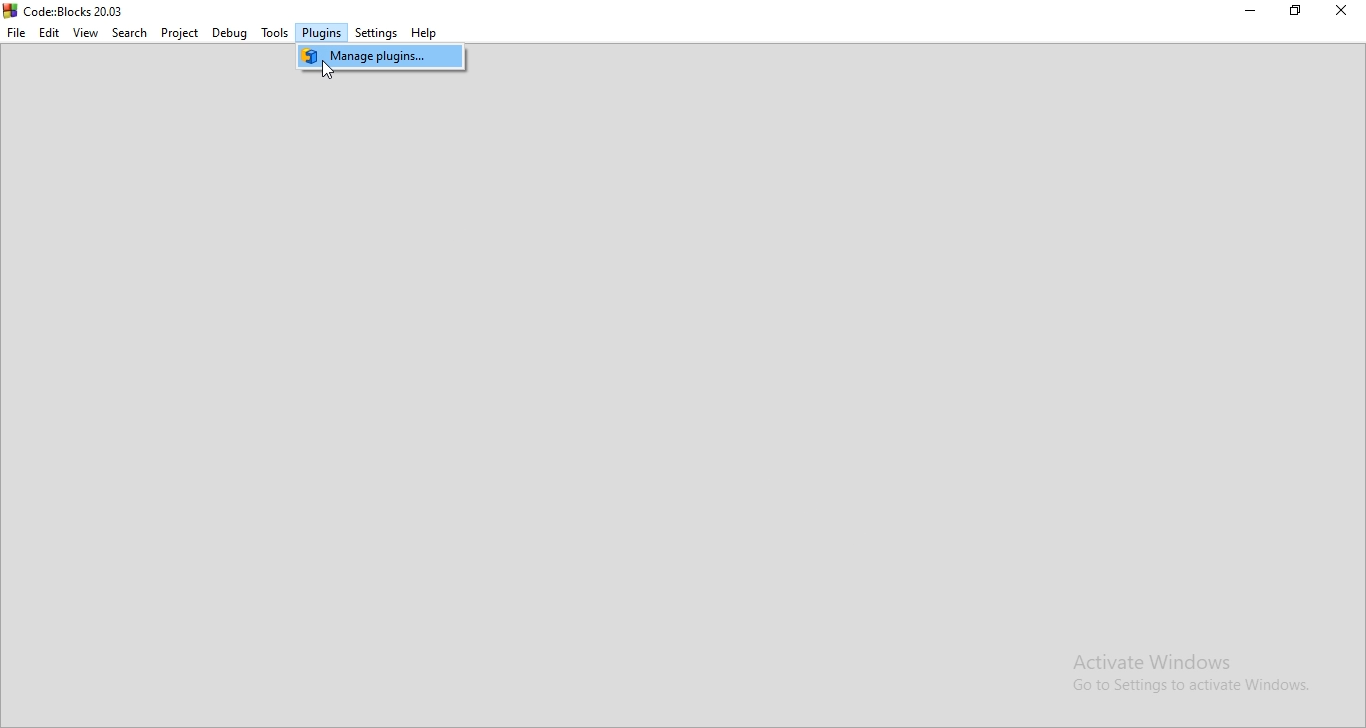  What do you see at coordinates (425, 34) in the screenshot?
I see `Help` at bounding box center [425, 34].